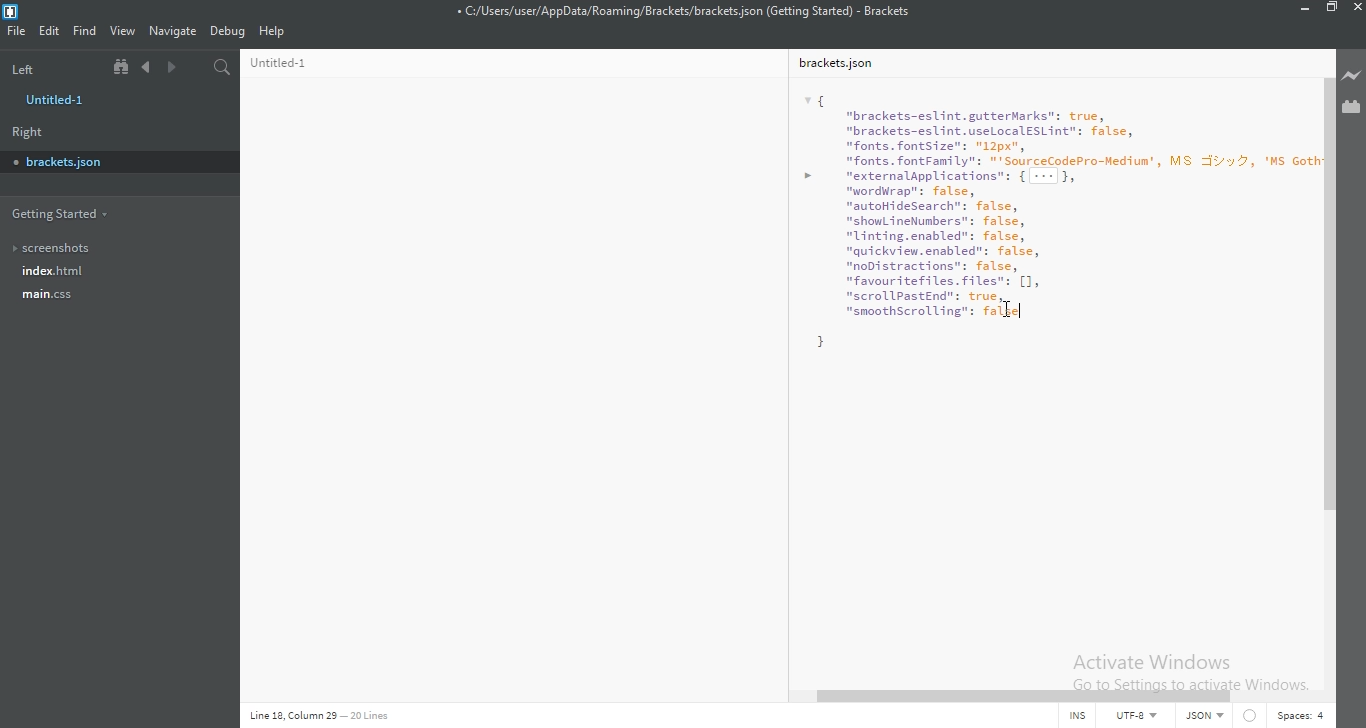 The height and width of the screenshot is (728, 1366). What do you see at coordinates (511, 369) in the screenshot?
I see `bracket.json` at bounding box center [511, 369].